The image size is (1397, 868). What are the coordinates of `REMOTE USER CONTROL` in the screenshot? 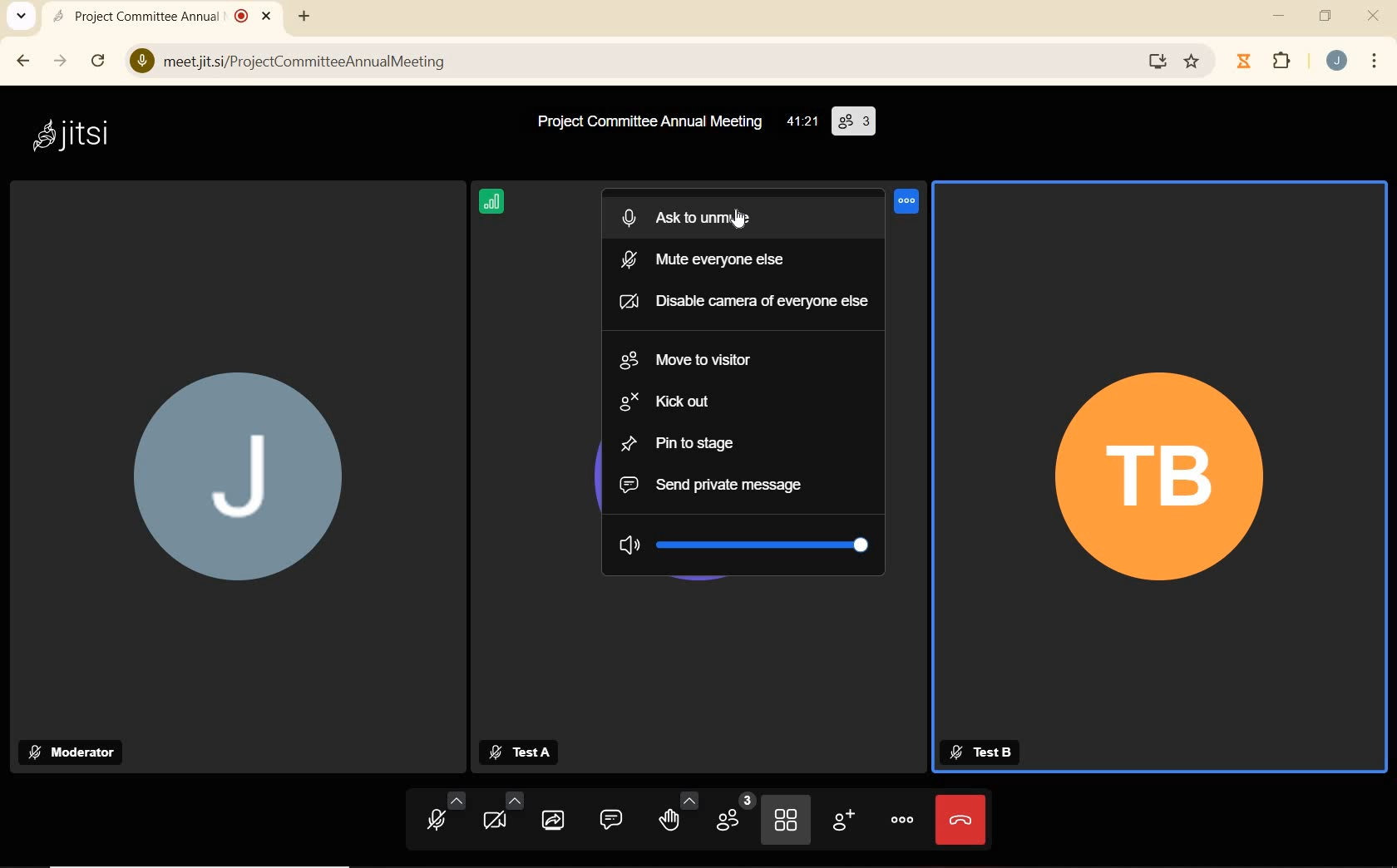 It's located at (908, 205).